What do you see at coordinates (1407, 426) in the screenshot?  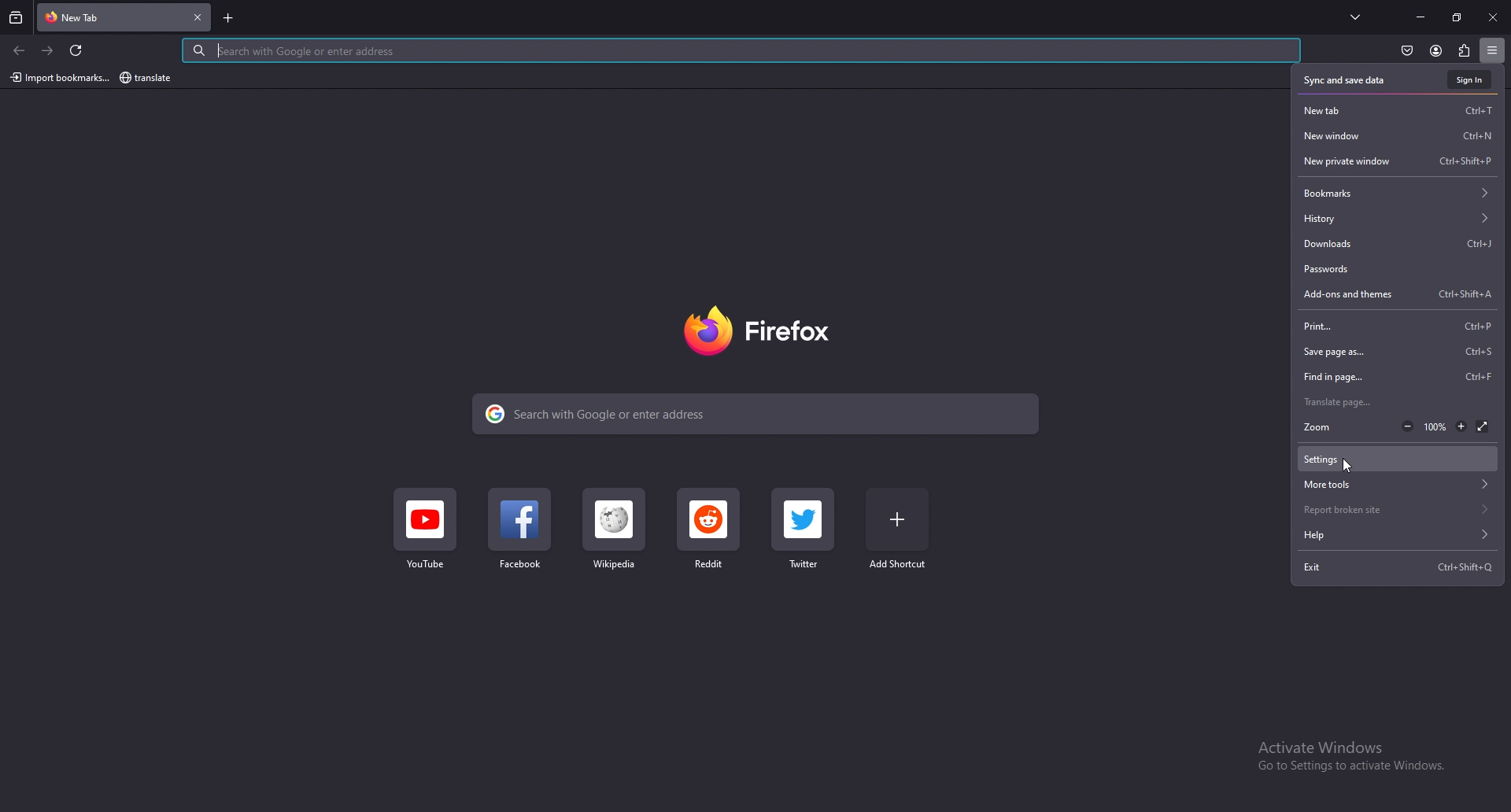 I see `zoom out` at bounding box center [1407, 426].